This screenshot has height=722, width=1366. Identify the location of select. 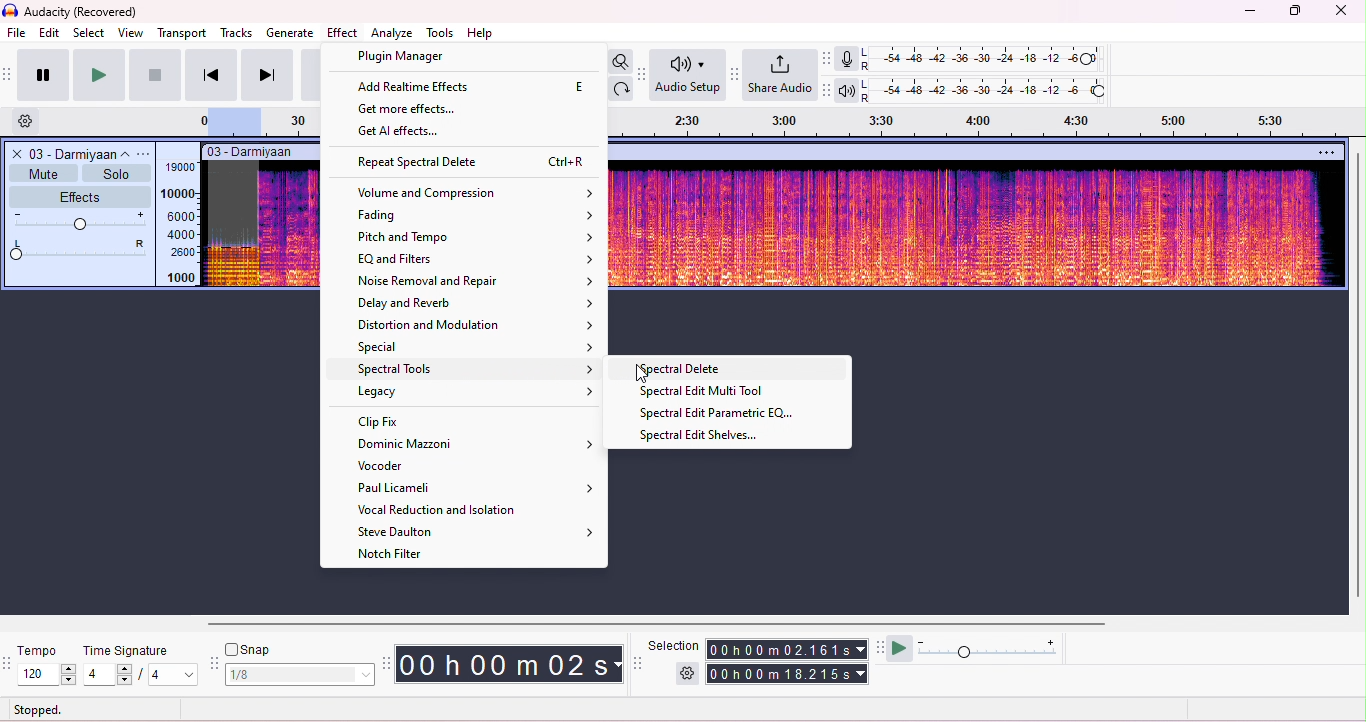
(91, 34).